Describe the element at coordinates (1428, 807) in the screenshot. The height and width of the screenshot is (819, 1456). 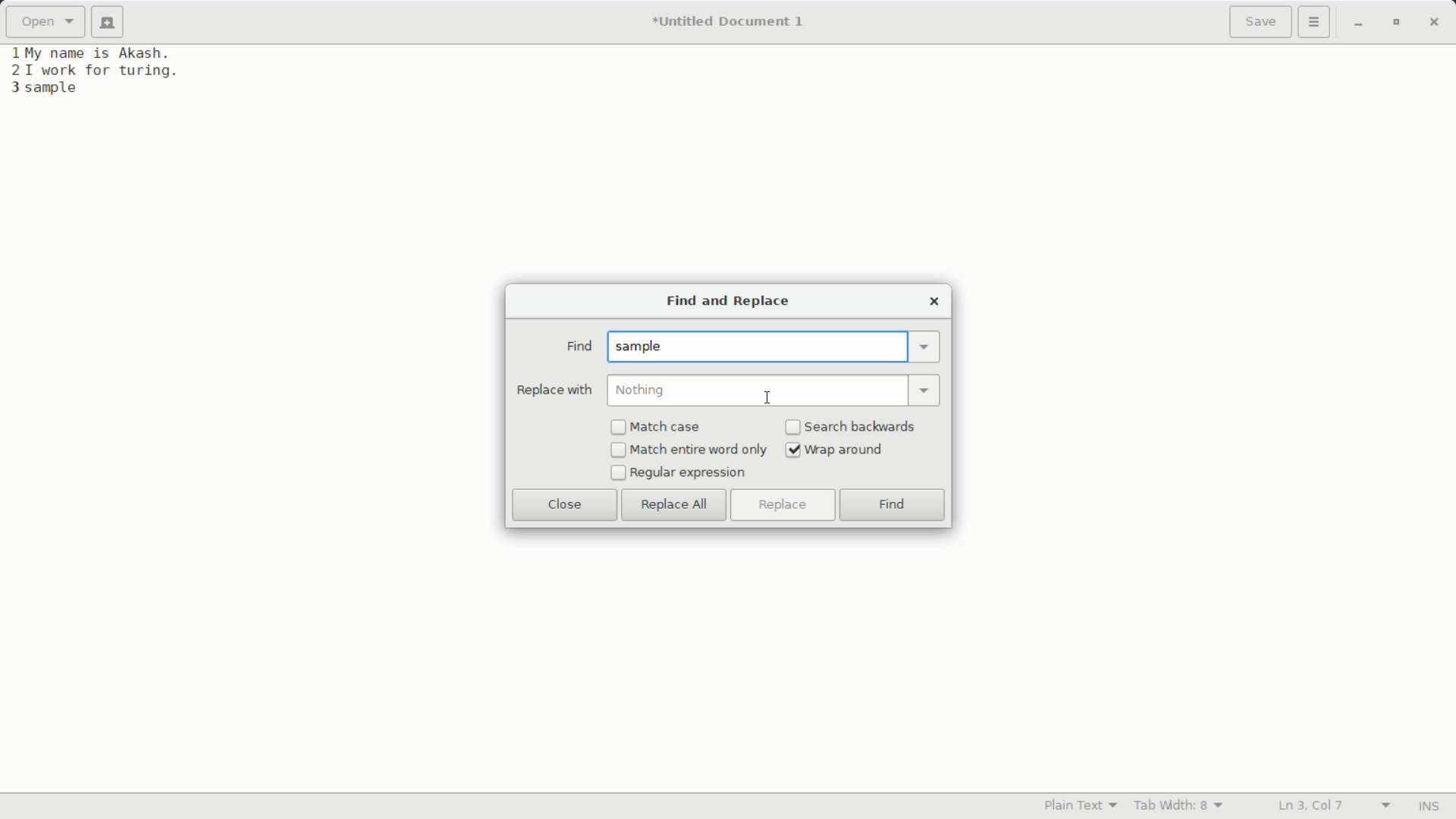
I see `INS` at that location.